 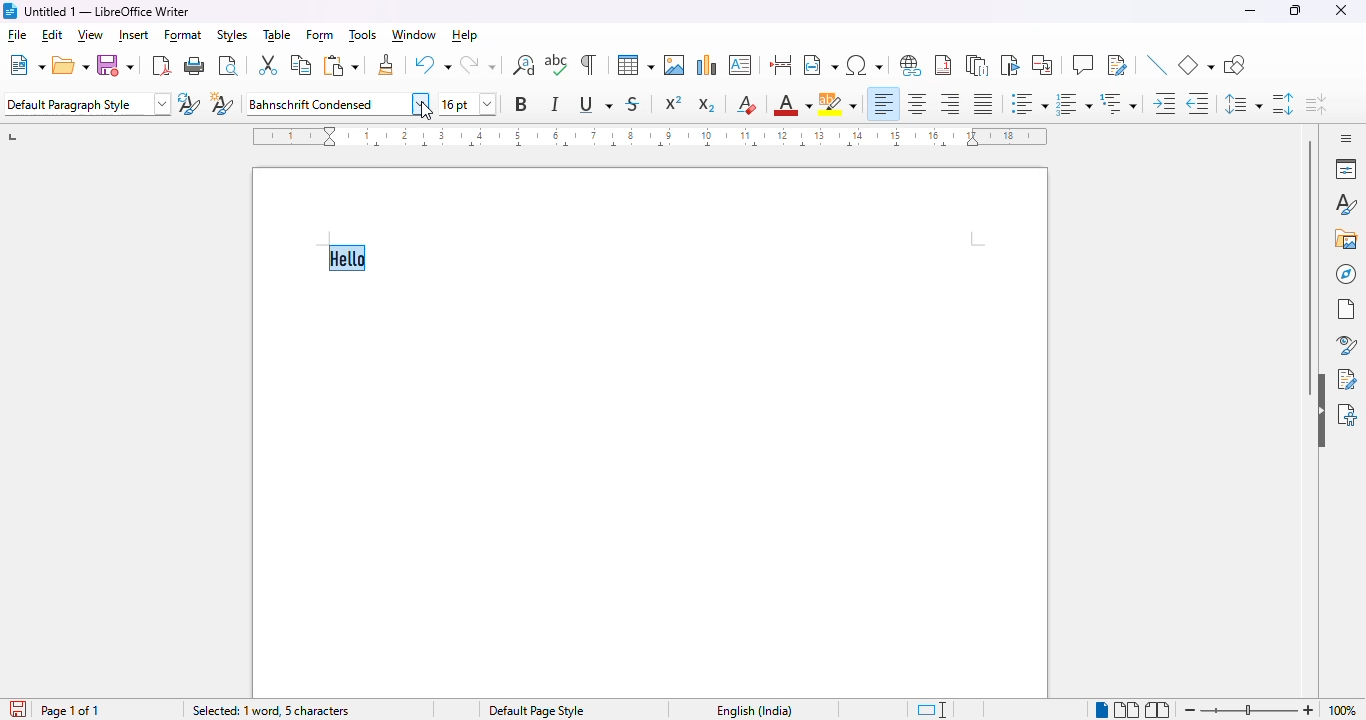 What do you see at coordinates (88, 104) in the screenshot?
I see `set paragraph style` at bounding box center [88, 104].